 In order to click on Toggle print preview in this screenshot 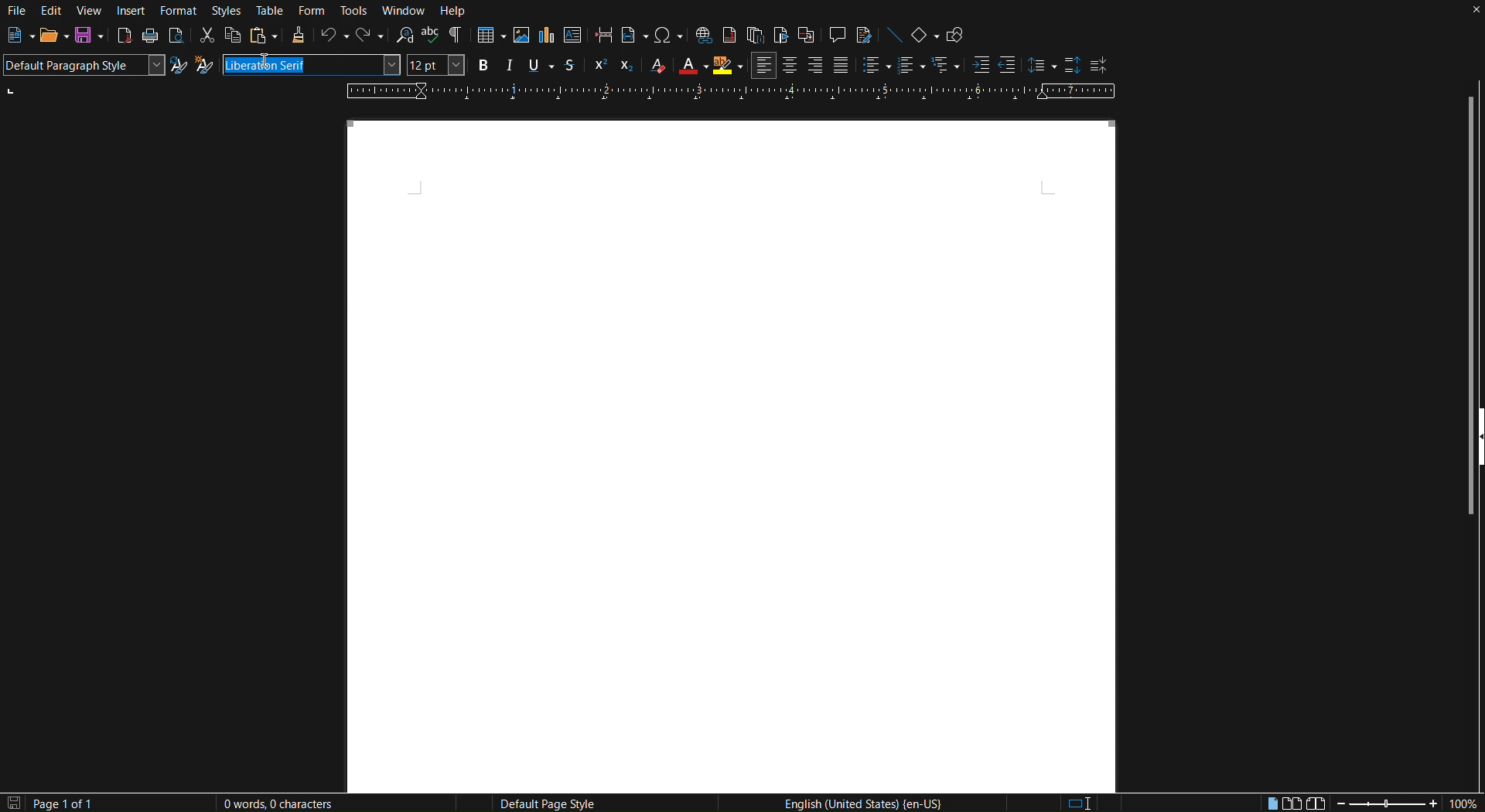, I will do `click(176, 37)`.